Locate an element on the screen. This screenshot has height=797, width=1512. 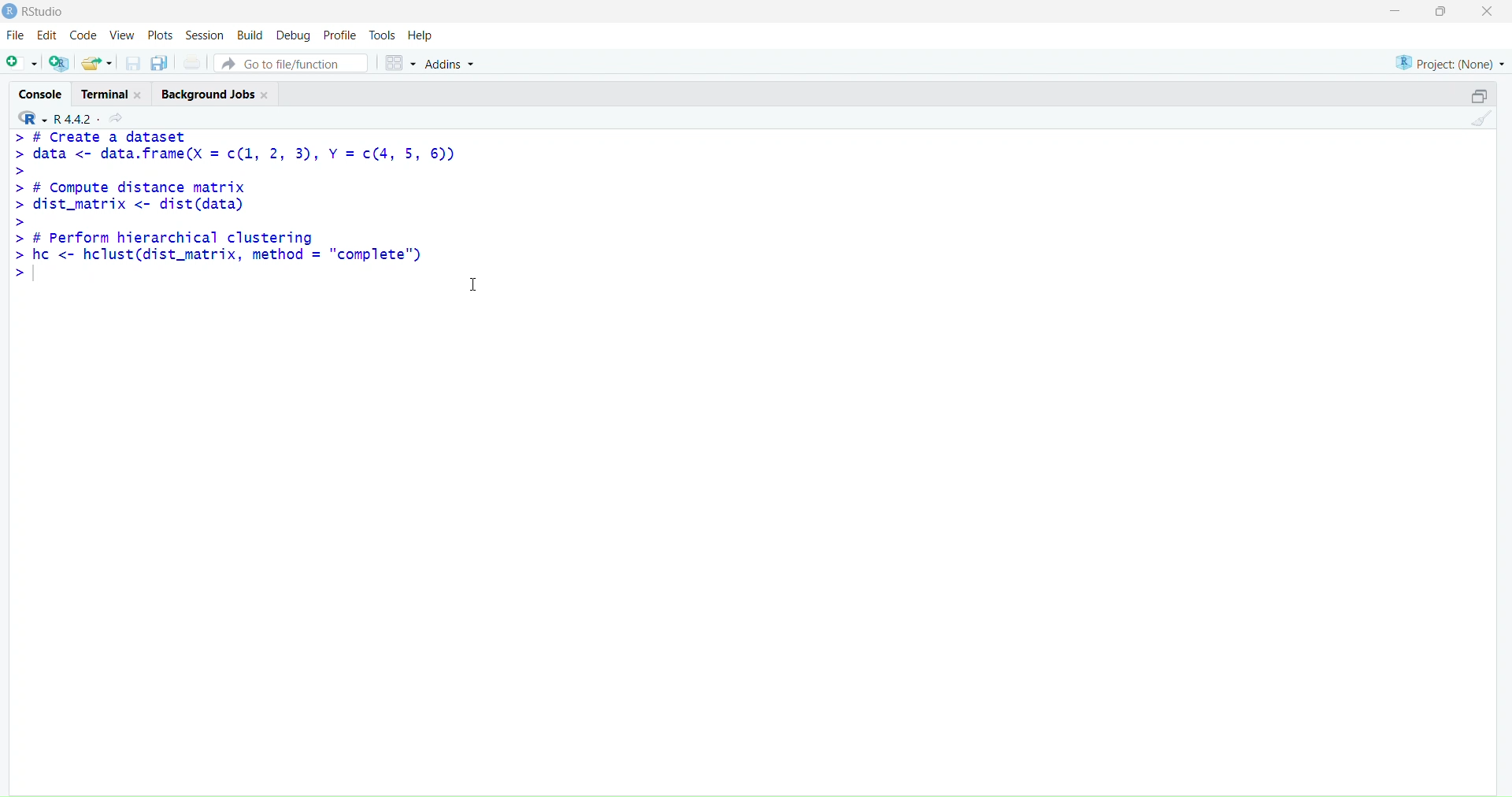
Background Jobs is located at coordinates (213, 91).